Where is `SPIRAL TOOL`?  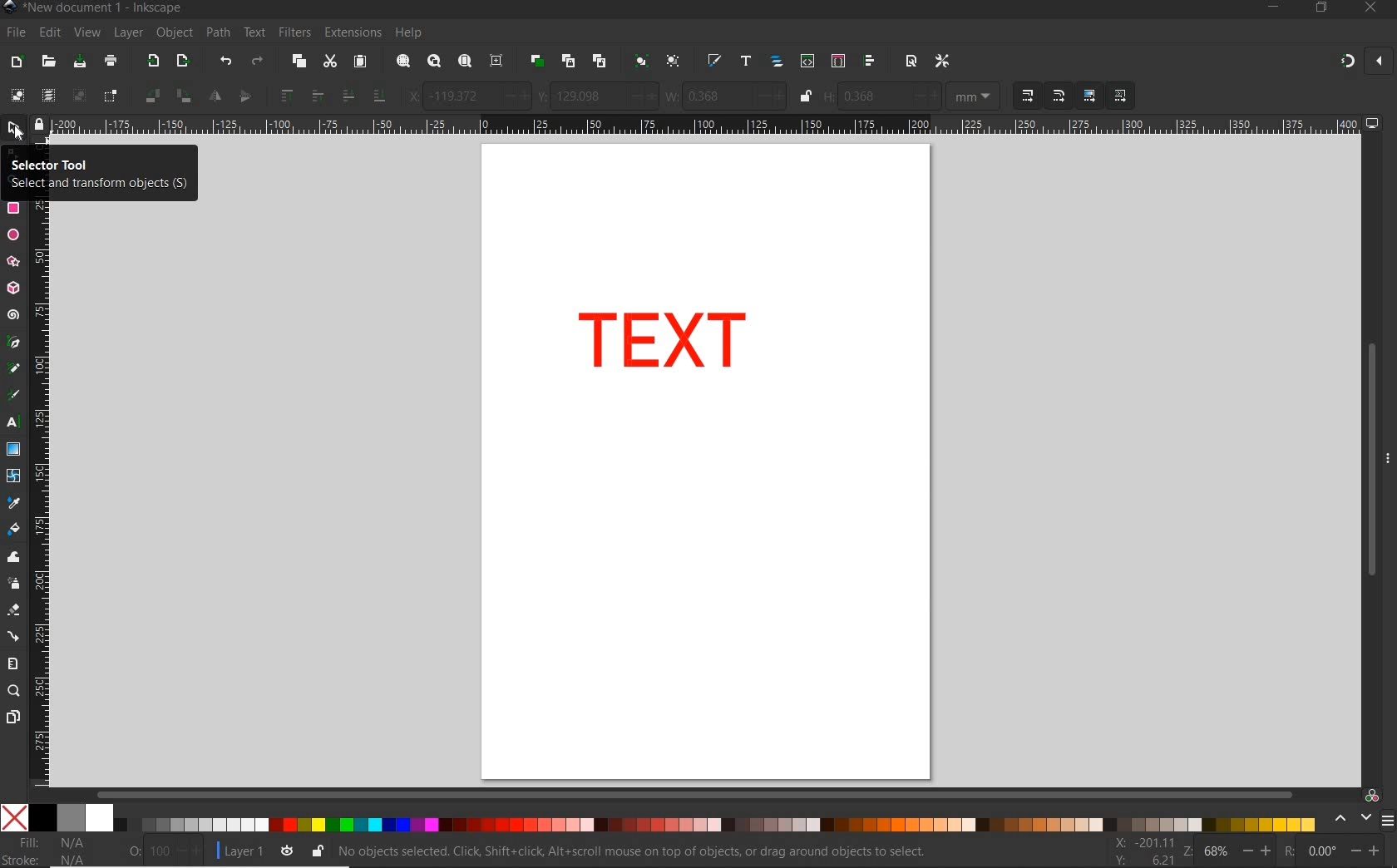
SPIRAL TOOL is located at coordinates (13, 316).